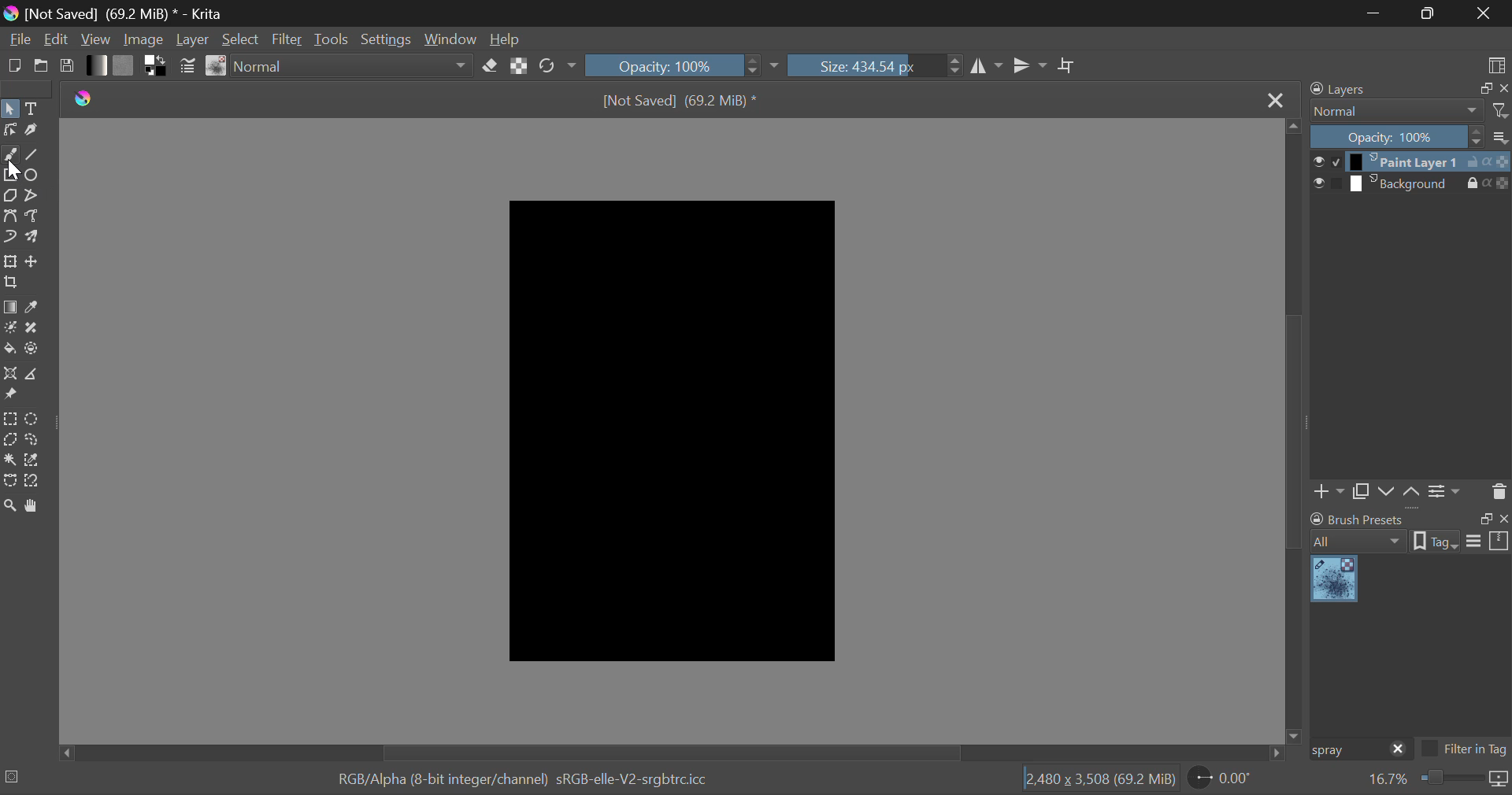 This screenshot has height=795, width=1512. Describe the element at coordinates (32, 350) in the screenshot. I see `Enclose and Fill` at that location.